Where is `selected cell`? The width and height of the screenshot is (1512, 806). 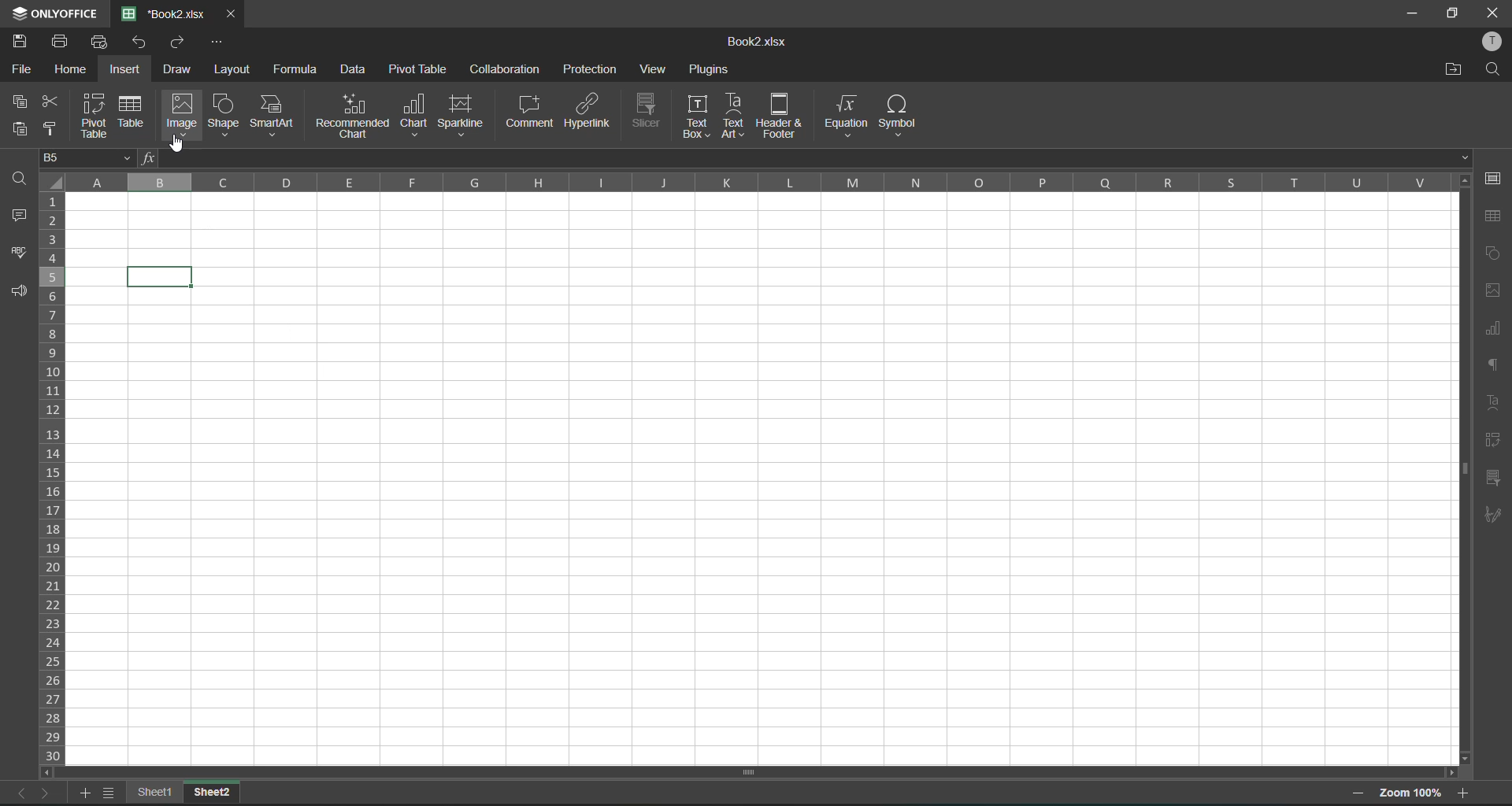
selected cell is located at coordinates (163, 275).